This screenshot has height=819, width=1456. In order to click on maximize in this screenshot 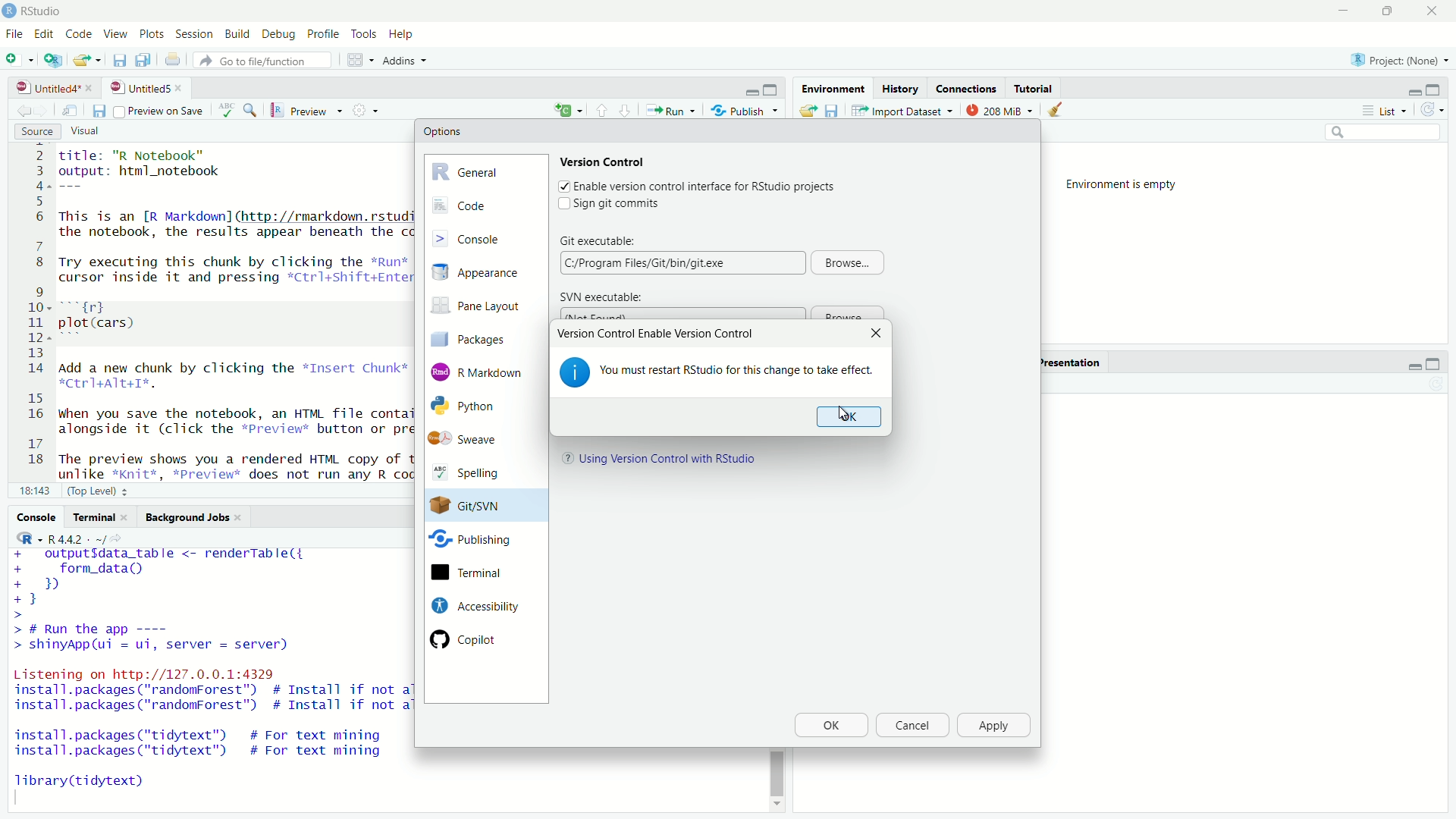, I will do `click(773, 90)`.